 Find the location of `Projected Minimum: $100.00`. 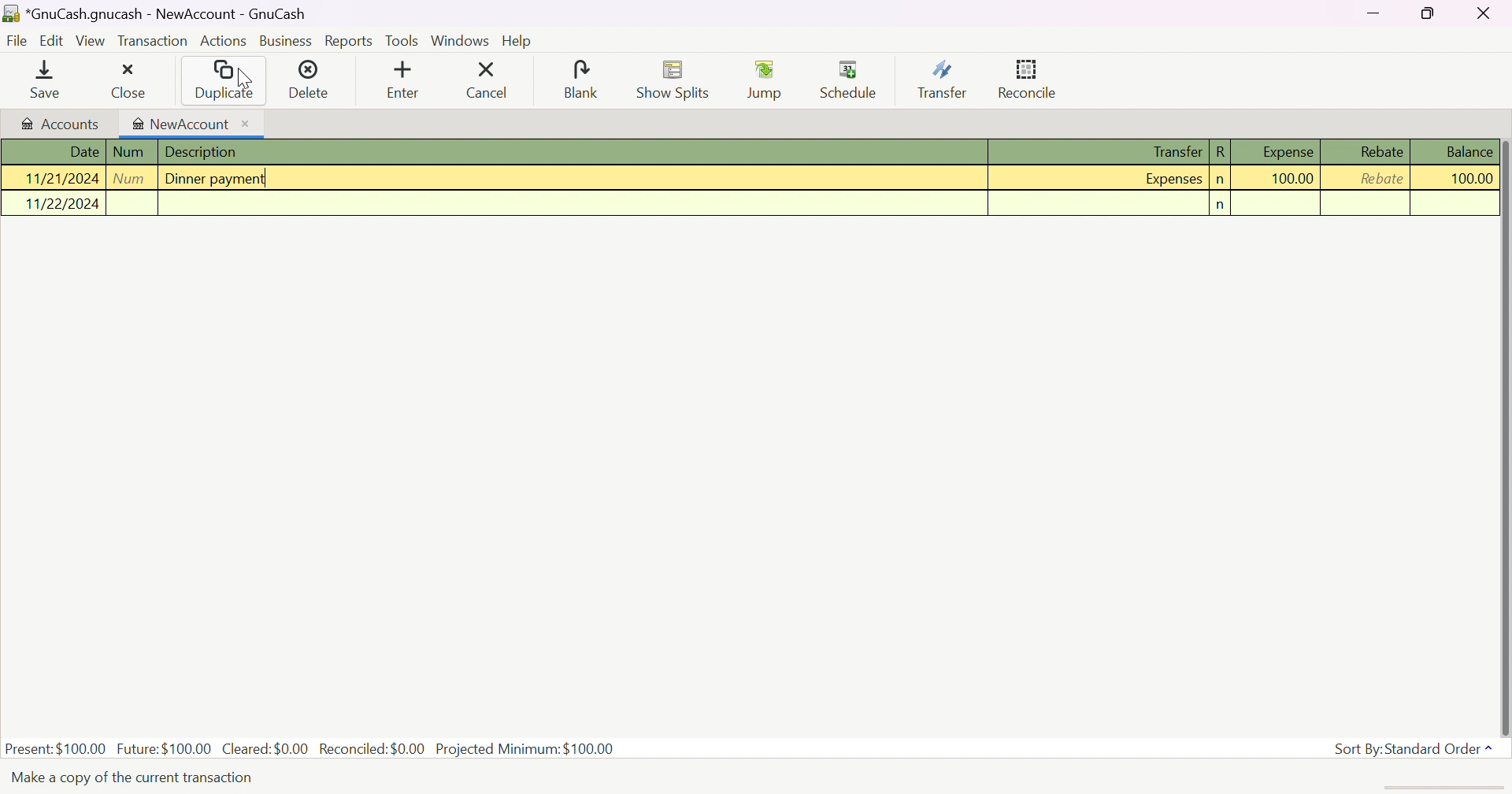

Projected Minimum: $100.00 is located at coordinates (524, 749).